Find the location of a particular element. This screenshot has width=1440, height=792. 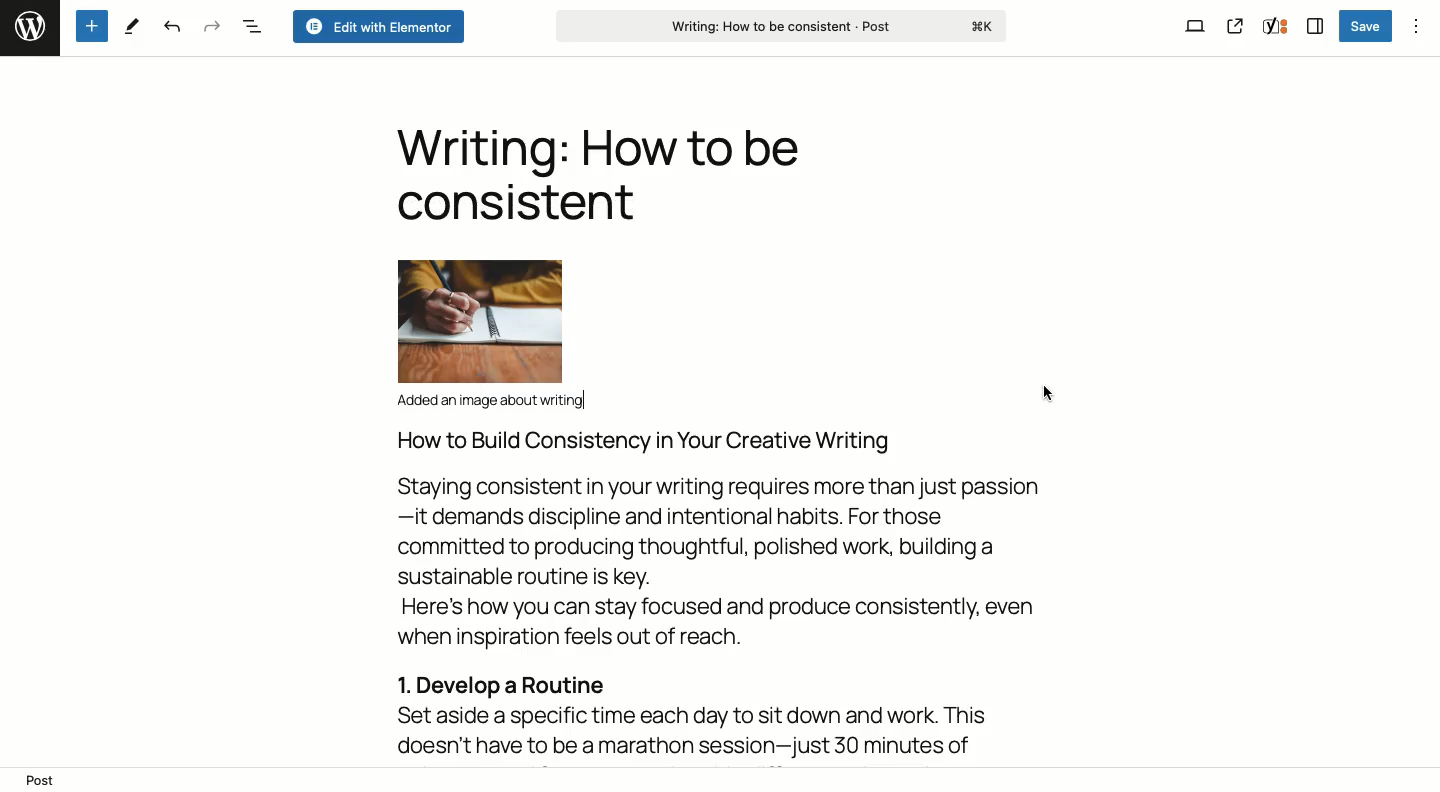

Options is located at coordinates (1415, 24).